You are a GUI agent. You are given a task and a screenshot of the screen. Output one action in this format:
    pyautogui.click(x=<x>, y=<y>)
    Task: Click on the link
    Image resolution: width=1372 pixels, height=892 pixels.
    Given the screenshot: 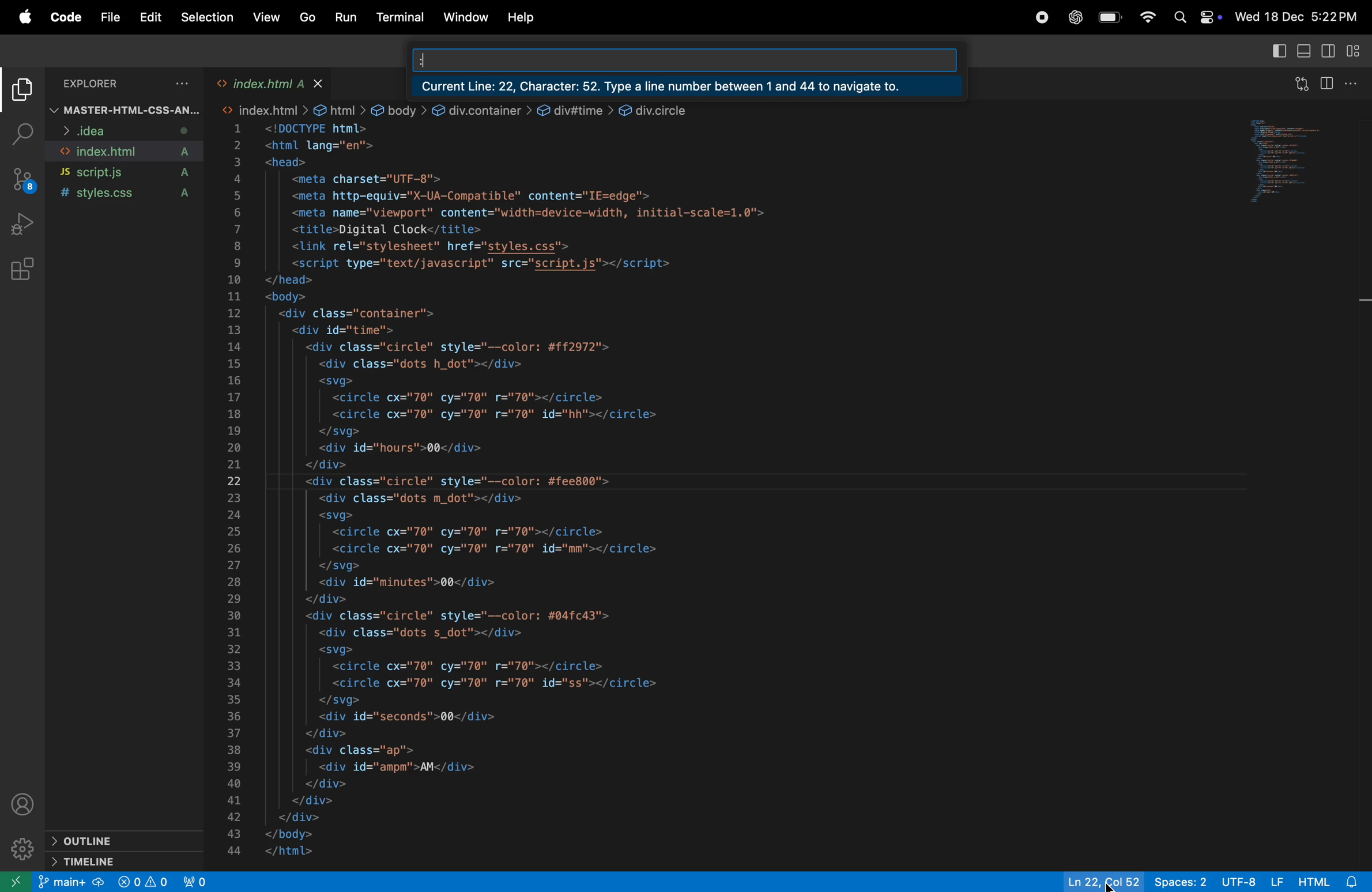 What is the action you would take?
    pyautogui.click(x=341, y=108)
    